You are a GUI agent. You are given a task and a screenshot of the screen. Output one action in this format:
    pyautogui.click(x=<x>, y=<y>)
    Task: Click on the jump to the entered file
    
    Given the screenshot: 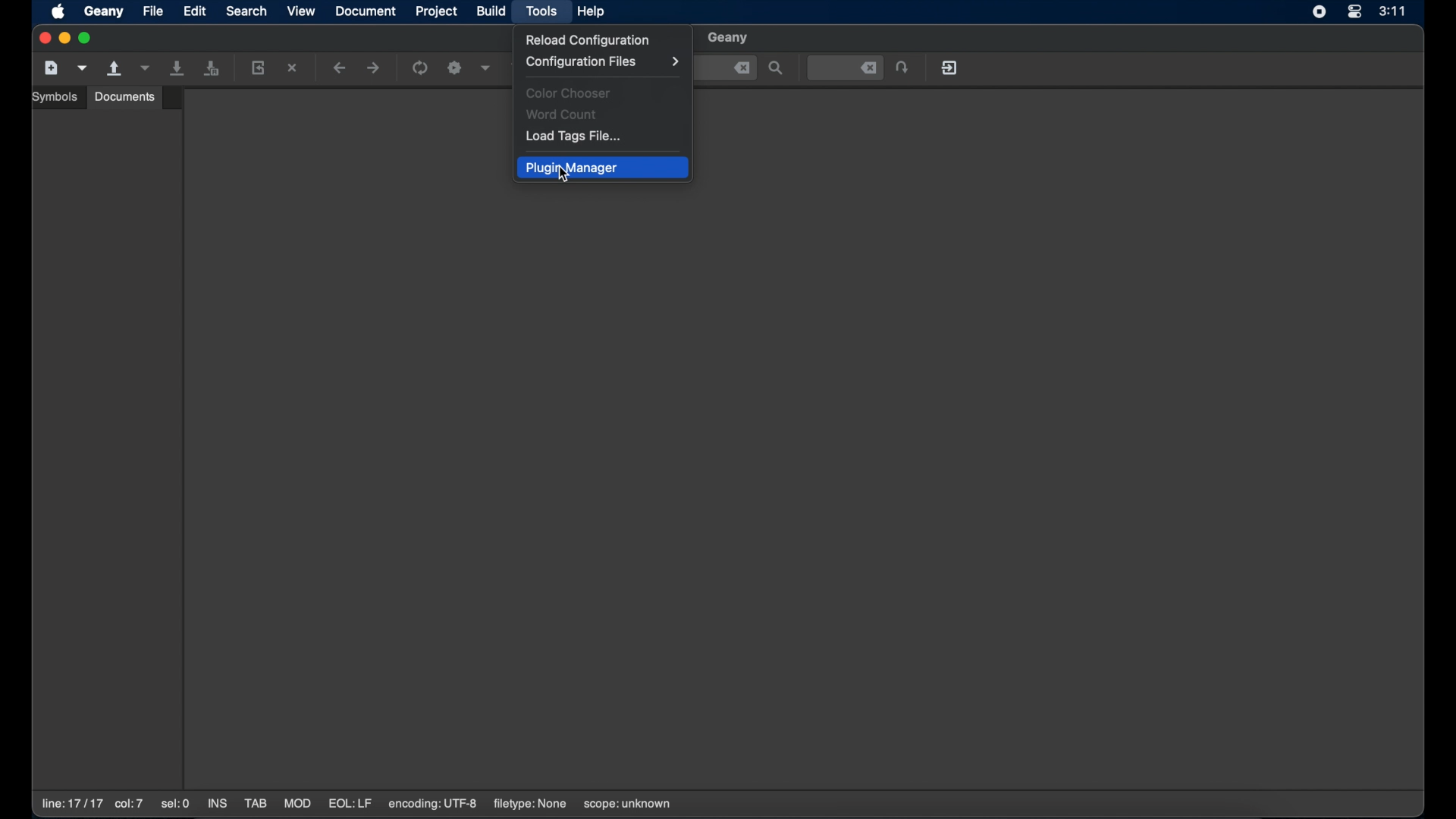 What is the action you would take?
    pyautogui.click(x=903, y=68)
    